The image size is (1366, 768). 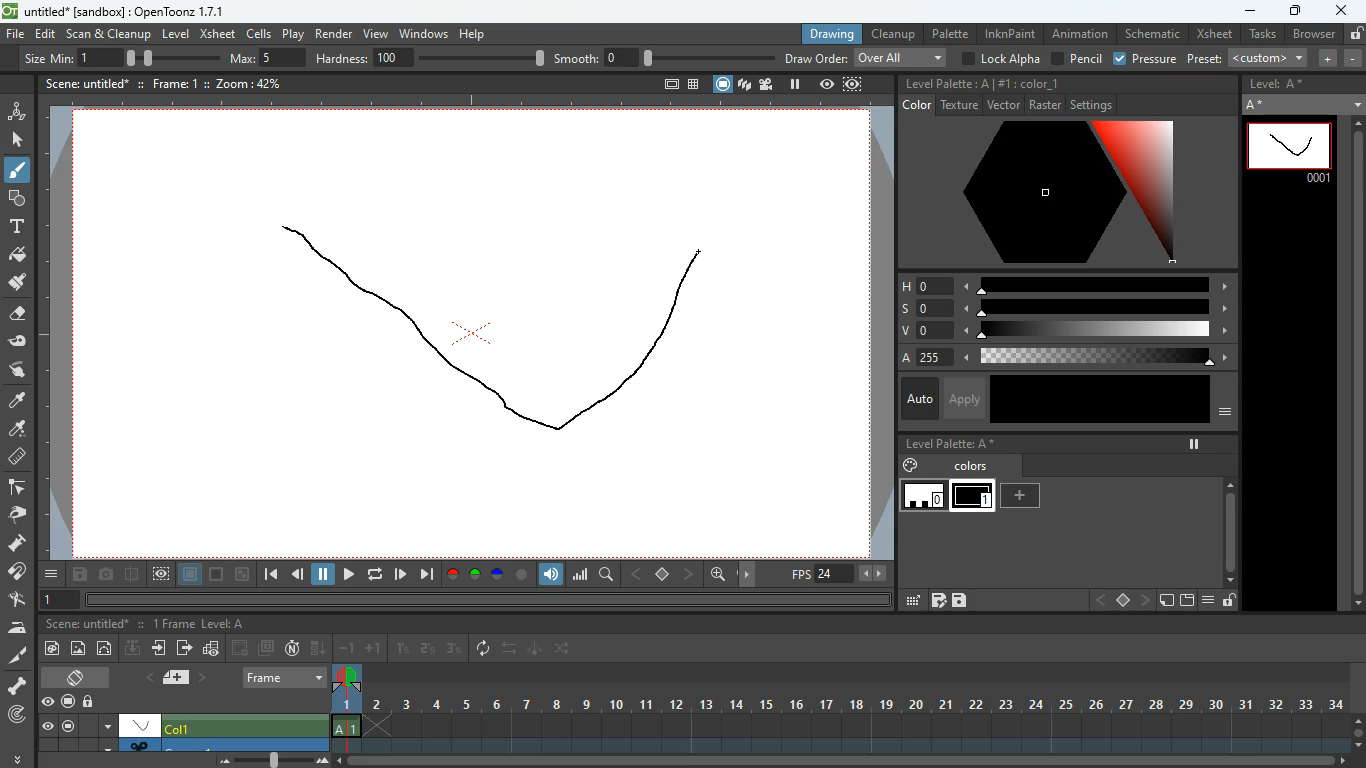 I want to click on color, so click(x=1048, y=193).